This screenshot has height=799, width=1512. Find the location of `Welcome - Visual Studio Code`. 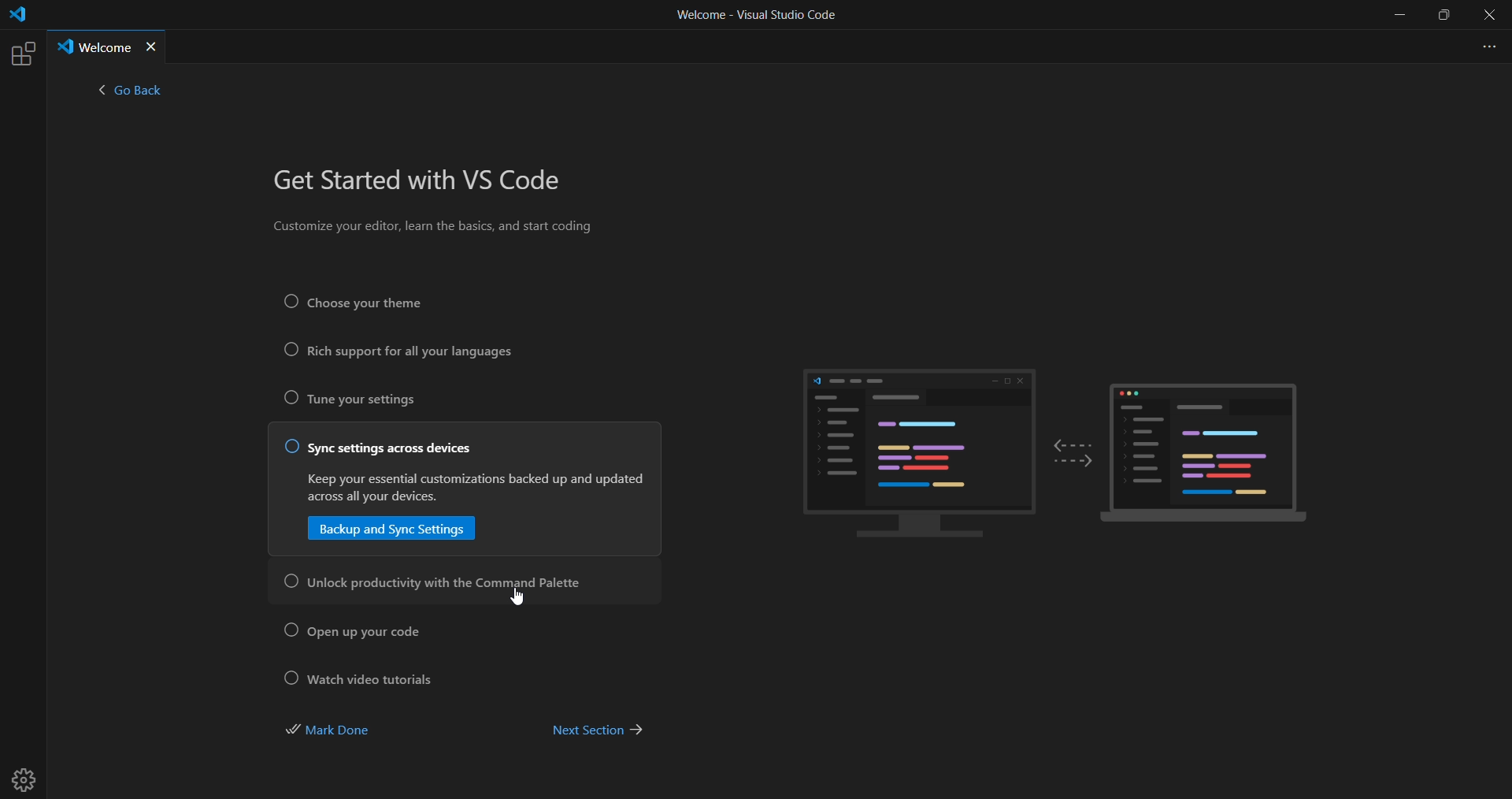

Welcome - Visual Studio Code is located at coordinates (755, 19).